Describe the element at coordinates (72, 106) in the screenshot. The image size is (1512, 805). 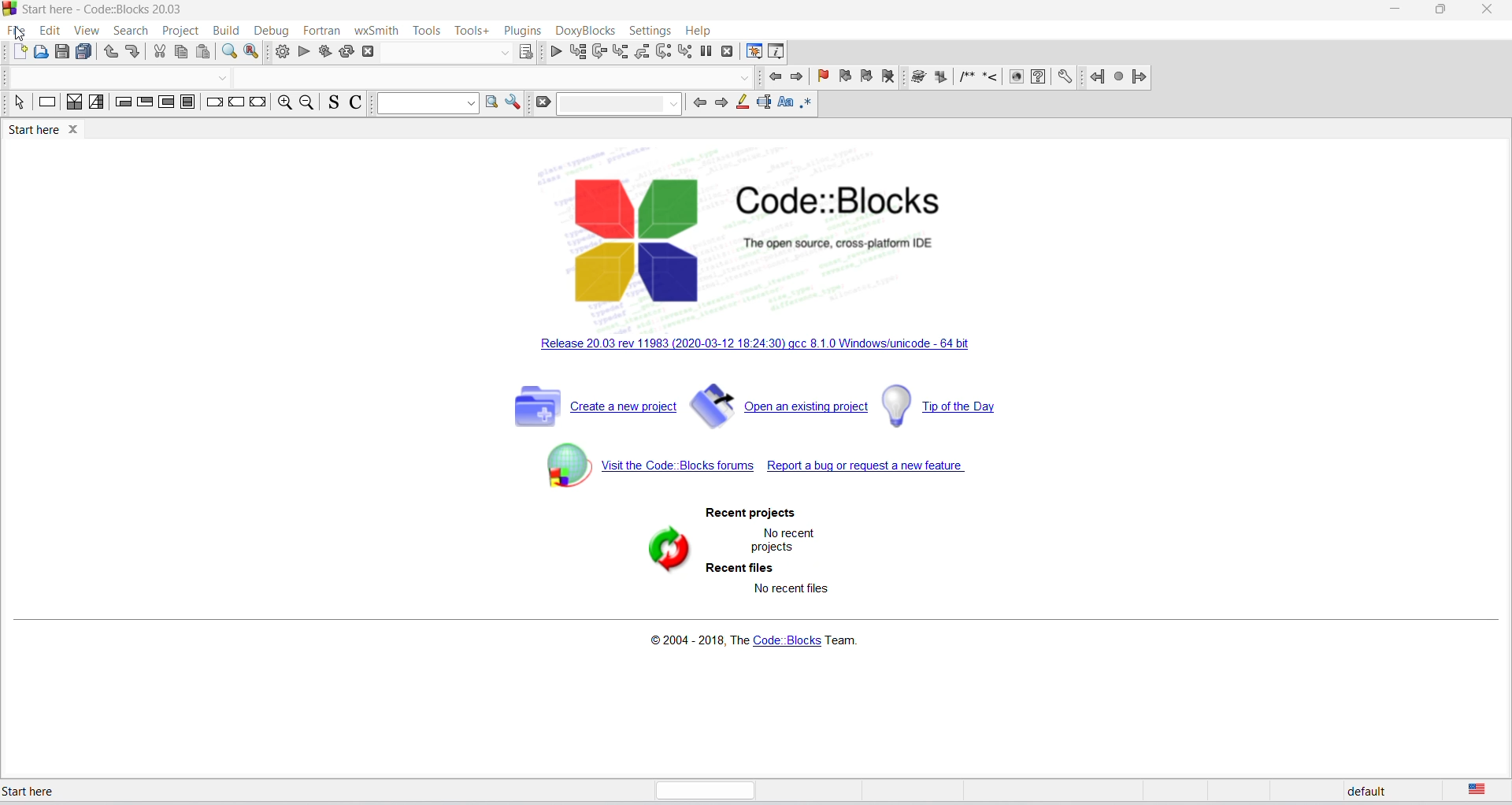
I see `instruction` at that location.